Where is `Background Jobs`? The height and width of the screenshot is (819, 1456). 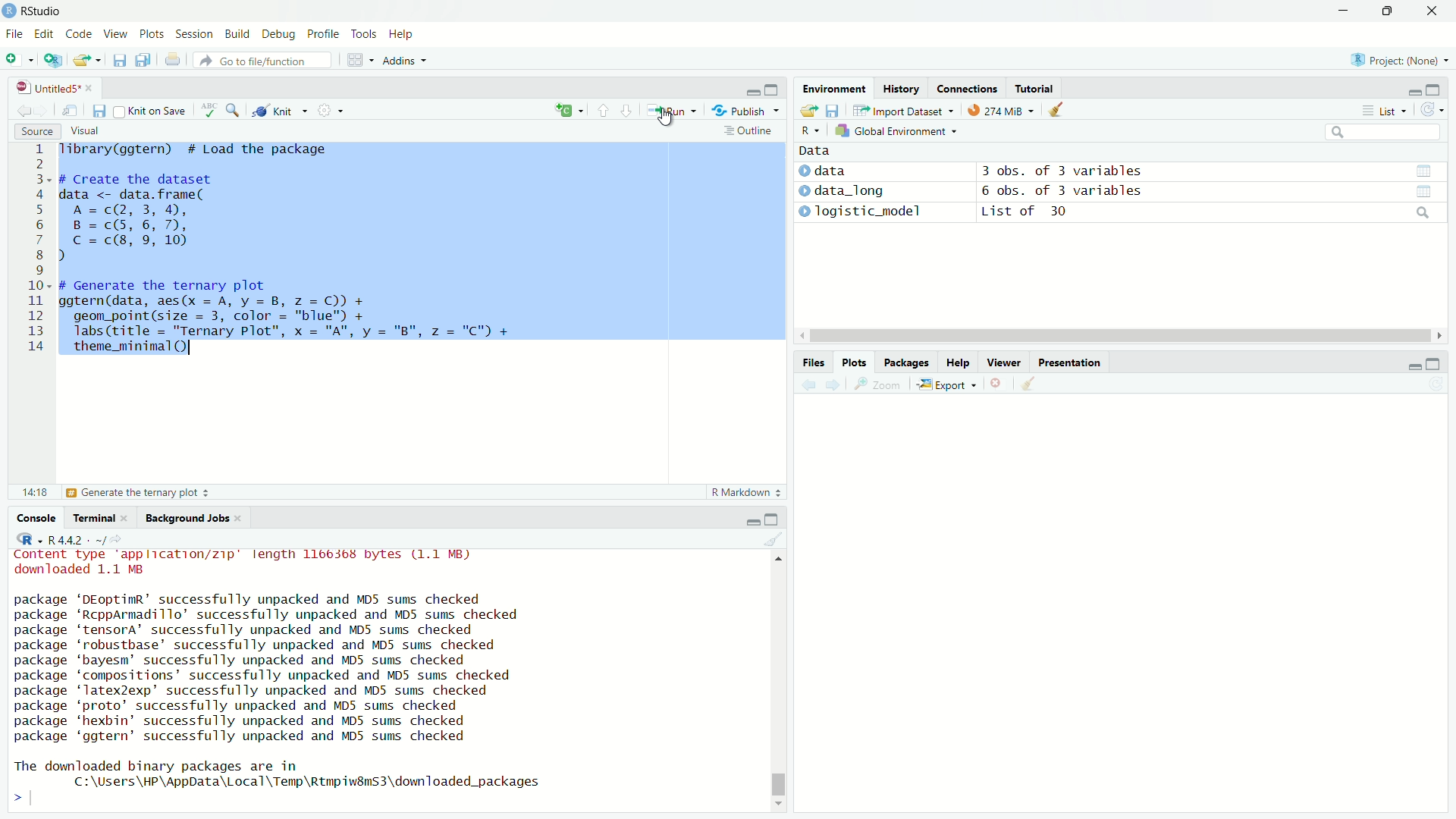 Background Jobs is located at coordinates (188, 519).